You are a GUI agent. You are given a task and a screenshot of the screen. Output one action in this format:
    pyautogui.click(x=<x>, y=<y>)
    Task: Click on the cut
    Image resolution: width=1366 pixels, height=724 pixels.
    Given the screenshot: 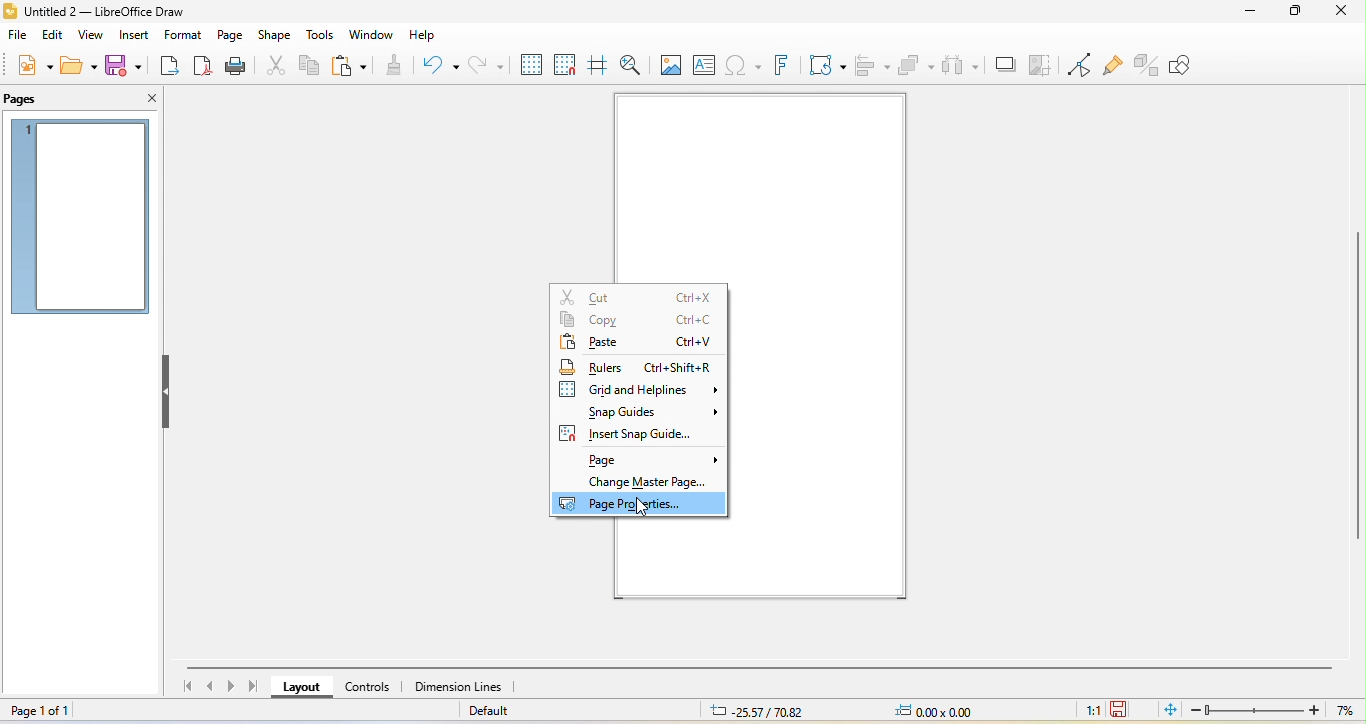 What is the action you would take?
    pyautogui.click(x=641, y=297)
    